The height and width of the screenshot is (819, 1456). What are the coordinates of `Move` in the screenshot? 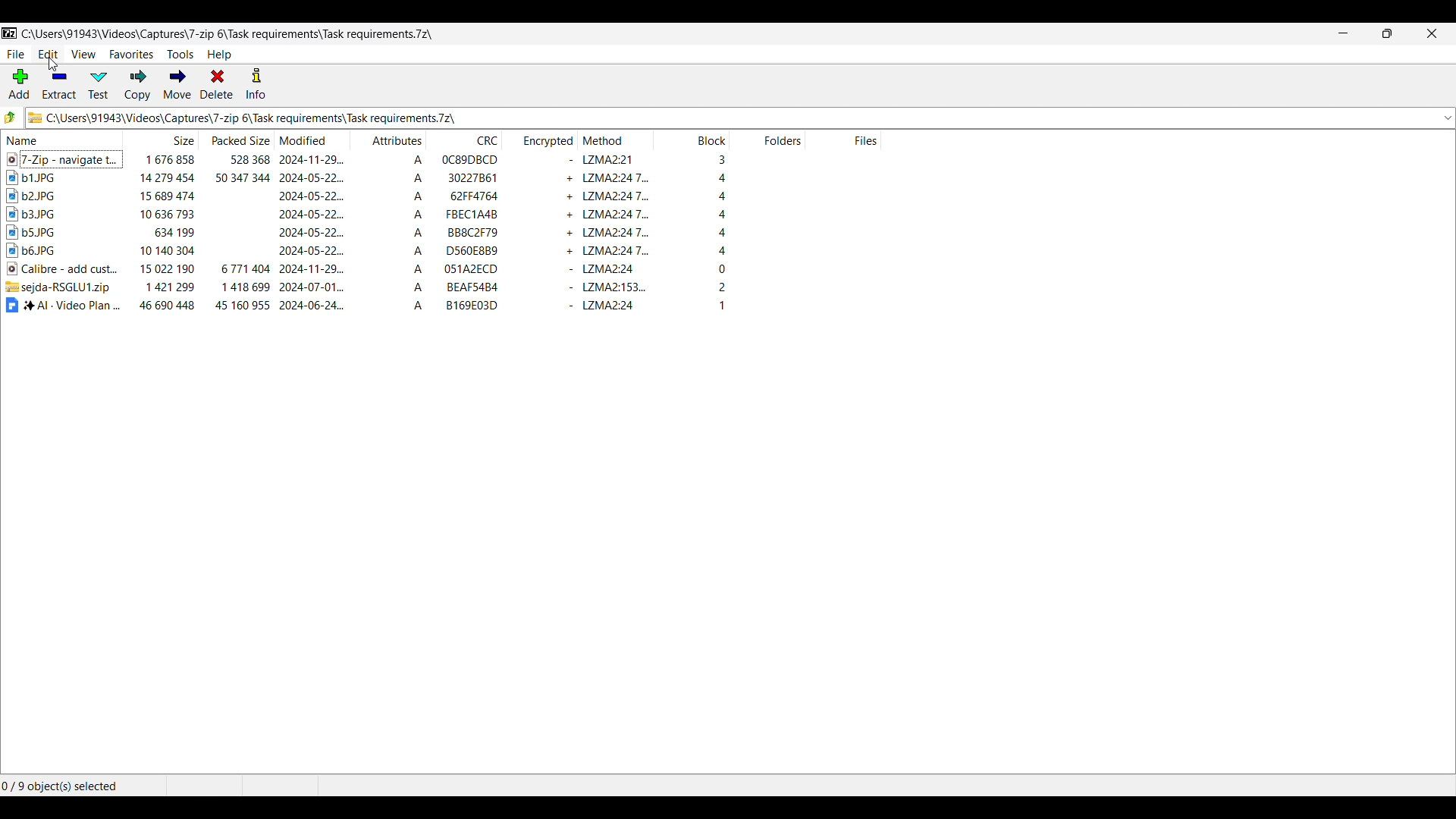 It's located at (177, 84).